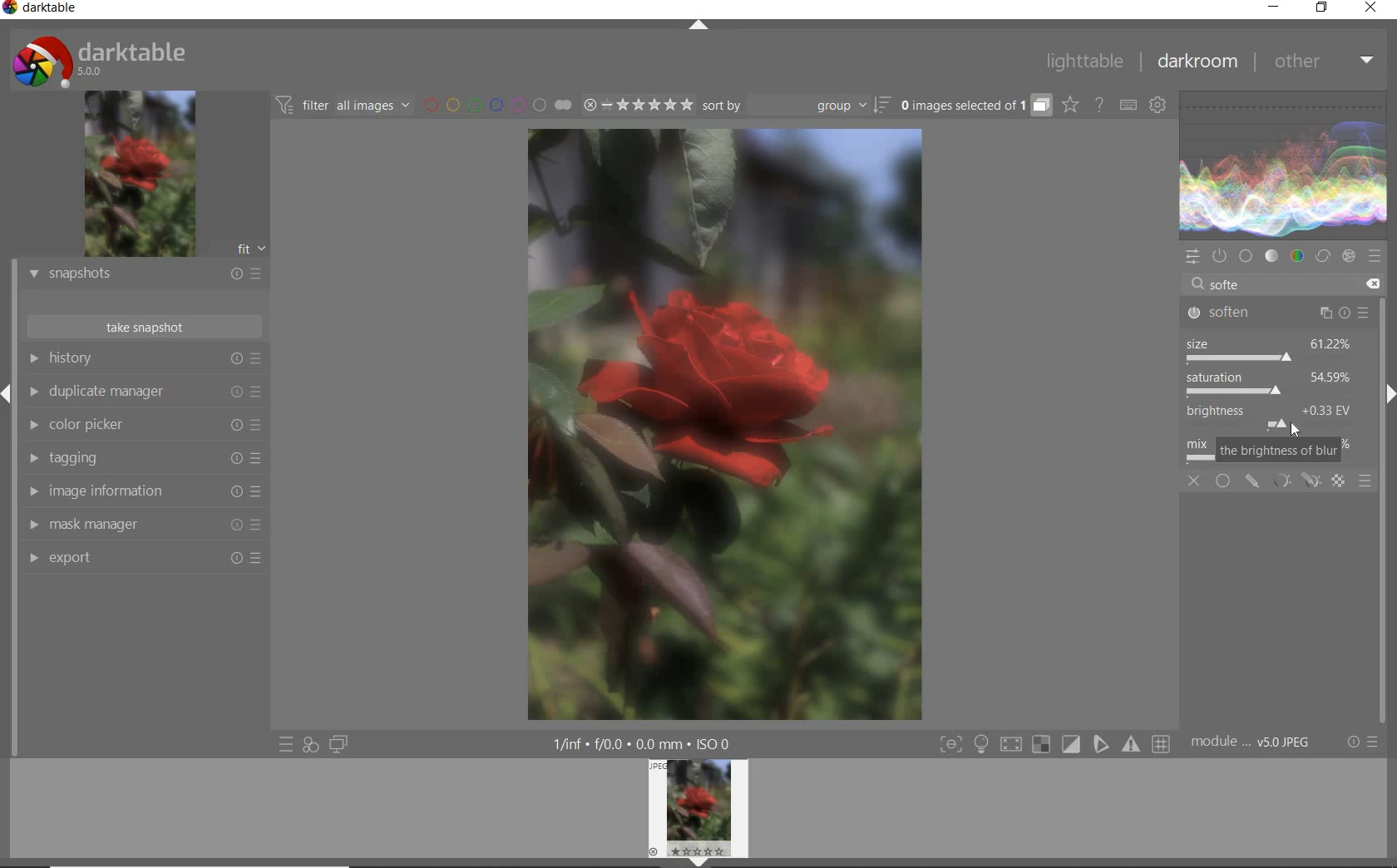 This screenshot has width=1397, height=868. What do you see at coordinates (1068, 104) in the screenshot?
I see `click to change overlays on thumbnails` at bounding box center [1068, 104].